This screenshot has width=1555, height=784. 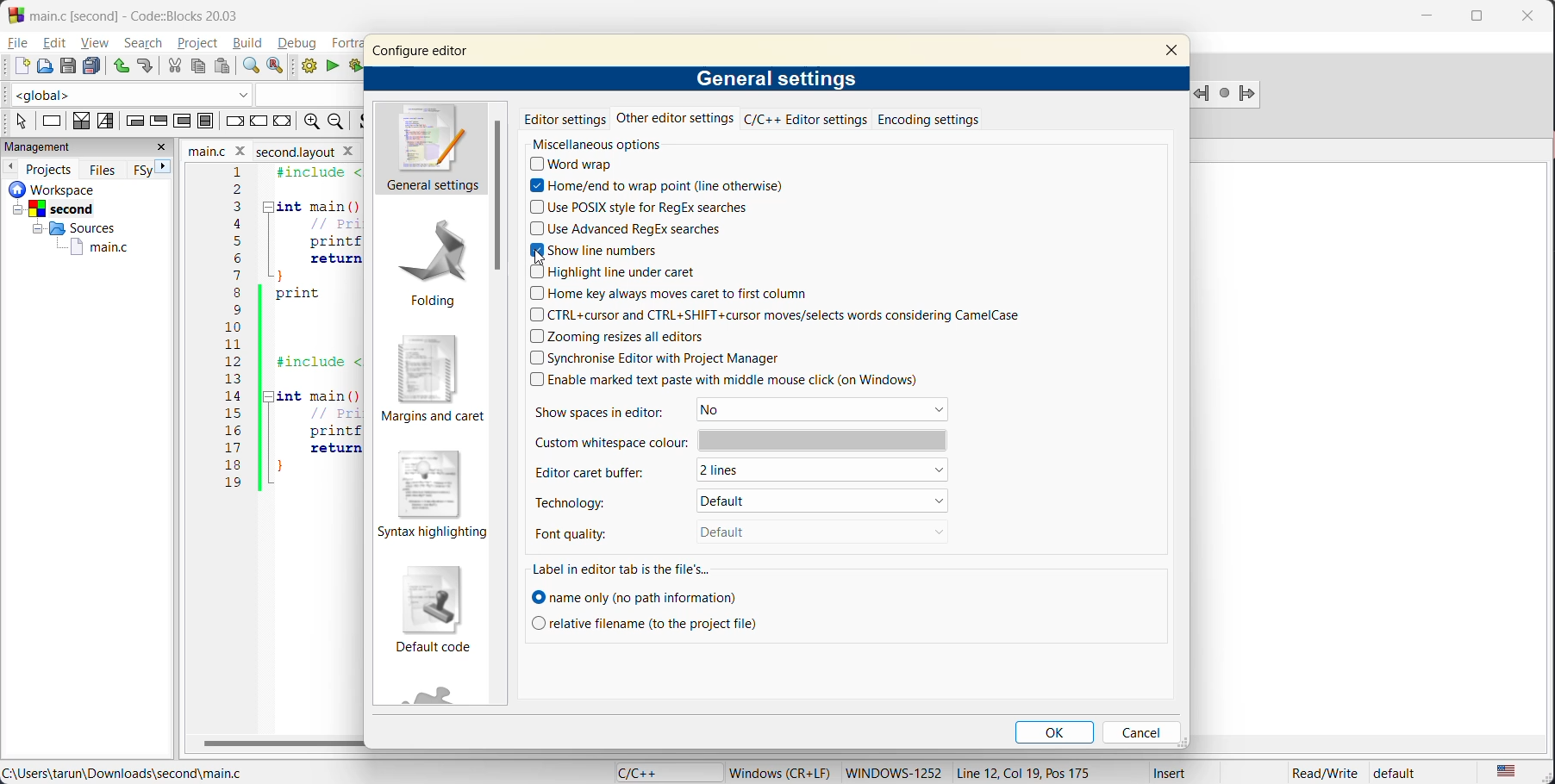 What do you see at coordinates (739, 440) in the screenshot?
I see `custom whitespace colour` at bounding box center [739, 440].